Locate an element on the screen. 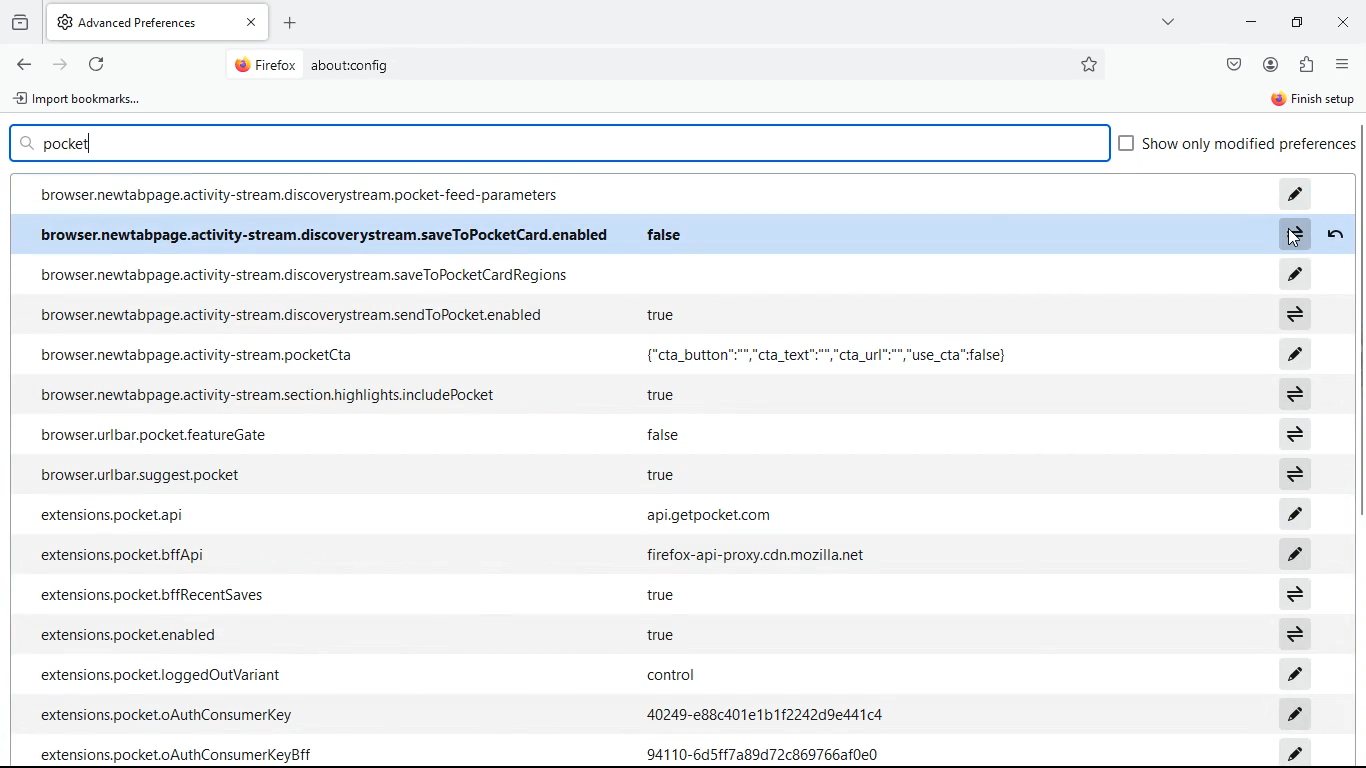 This screenshot has width=1366, height=768. edit is located at coordinates (1296, 713).